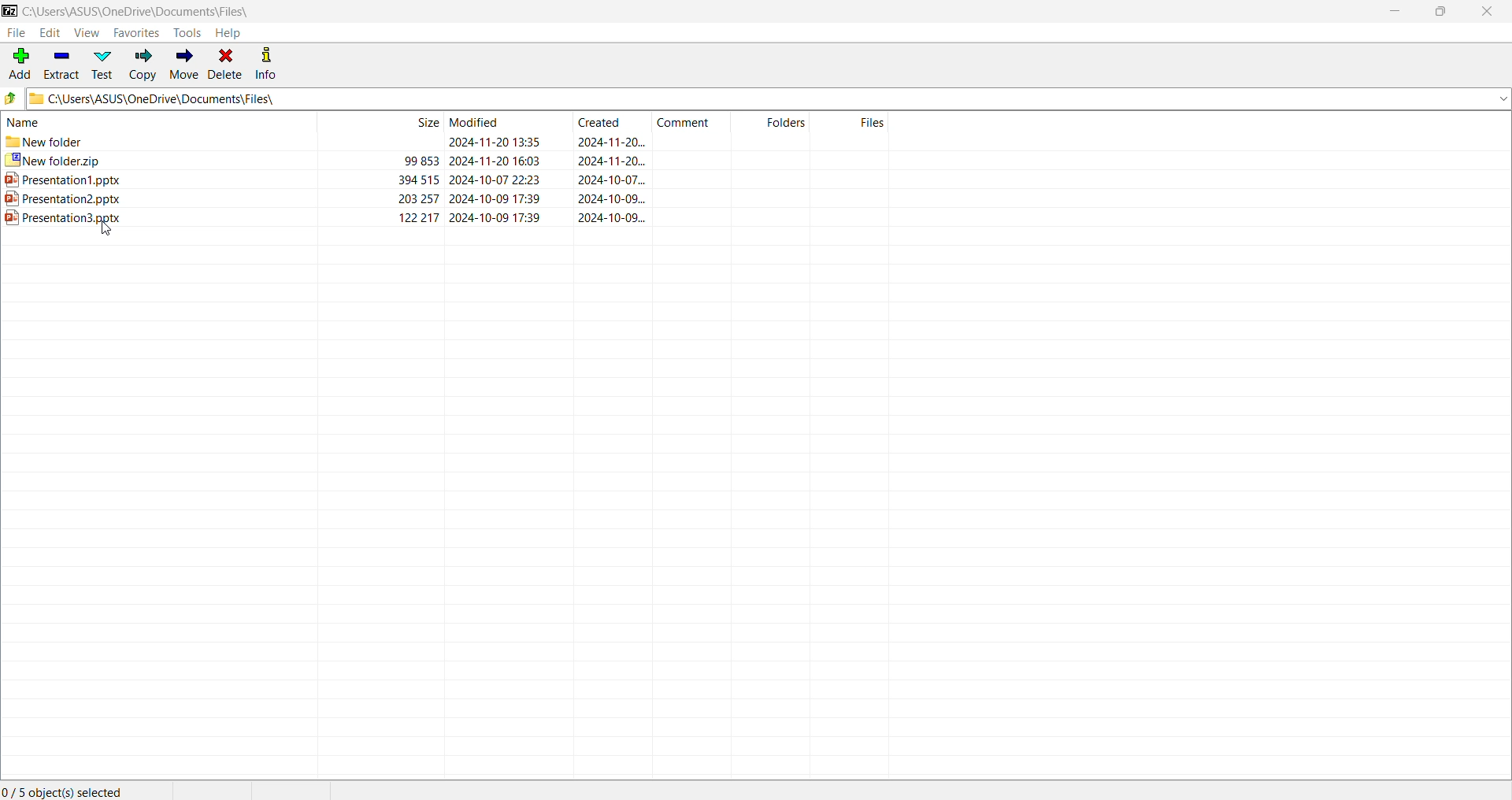 This screenshot has width=1512, height=800. Describe the element at coordinates (20, 61) in the screenshot. I see `Add` at that location.